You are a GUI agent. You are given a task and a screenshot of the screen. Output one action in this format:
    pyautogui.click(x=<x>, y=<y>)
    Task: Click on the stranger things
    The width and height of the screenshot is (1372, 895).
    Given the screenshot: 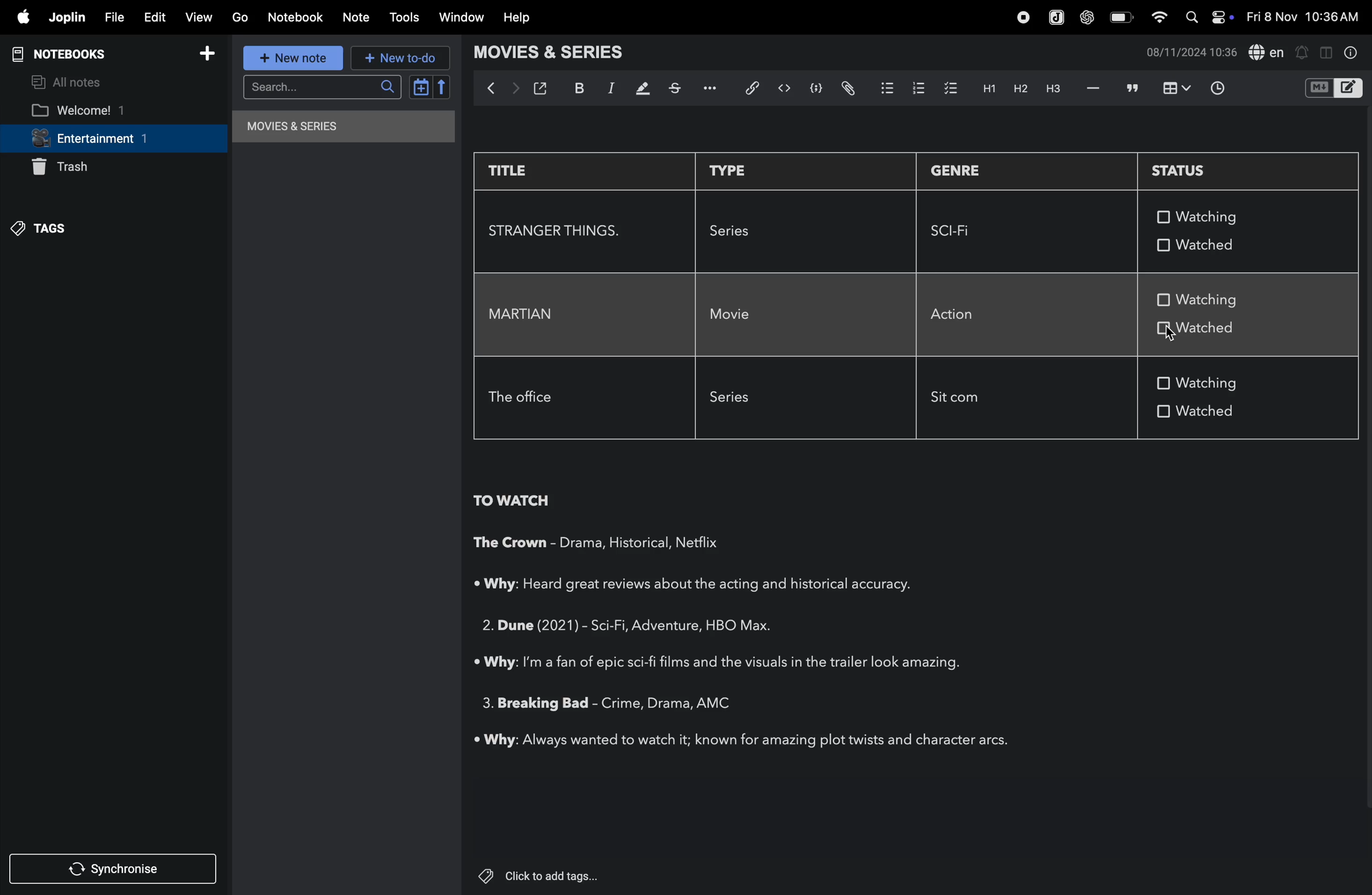 What is the action you would take?
    pyautogui.click(x=557, y=230)
    